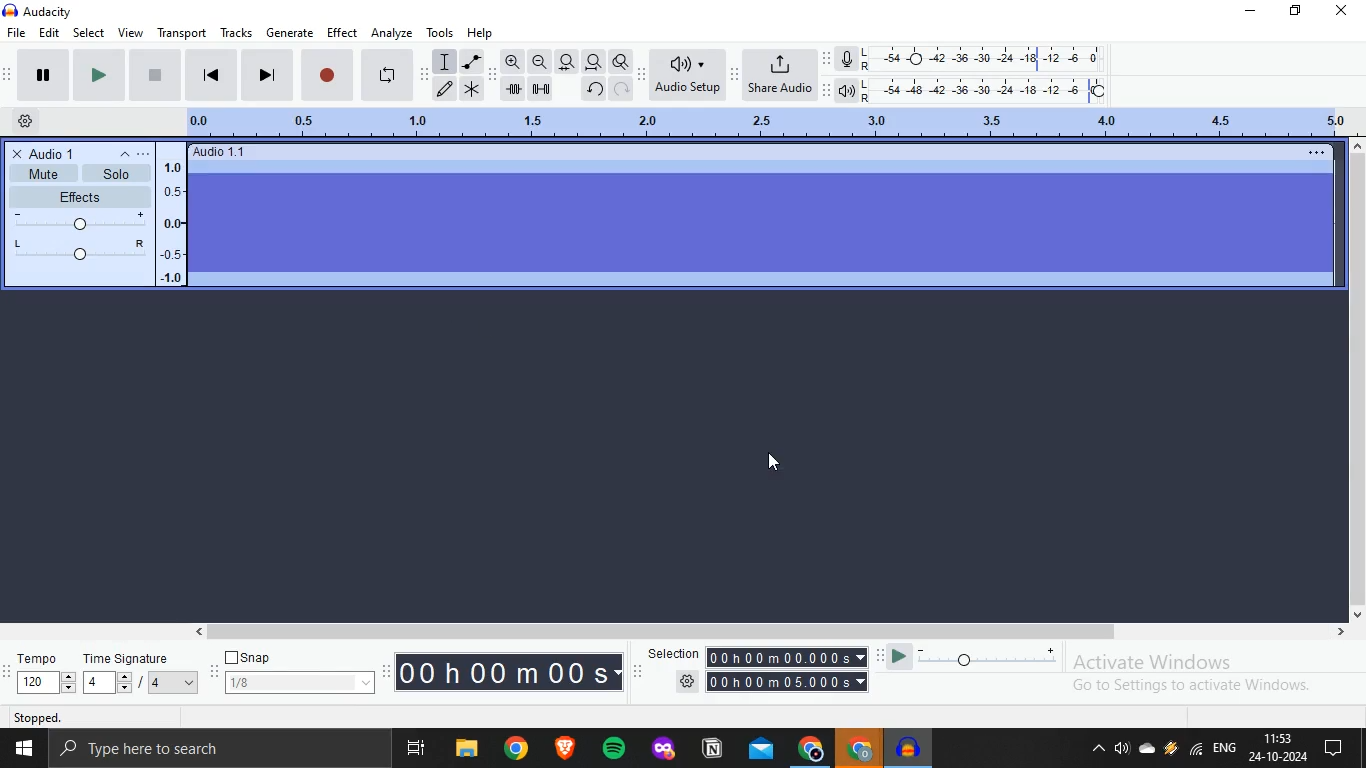  I want to click on 3.0 40 20 60 Led 80 20 10.0 10 120 130
| 1 a NT Cl, so click(807, 123).